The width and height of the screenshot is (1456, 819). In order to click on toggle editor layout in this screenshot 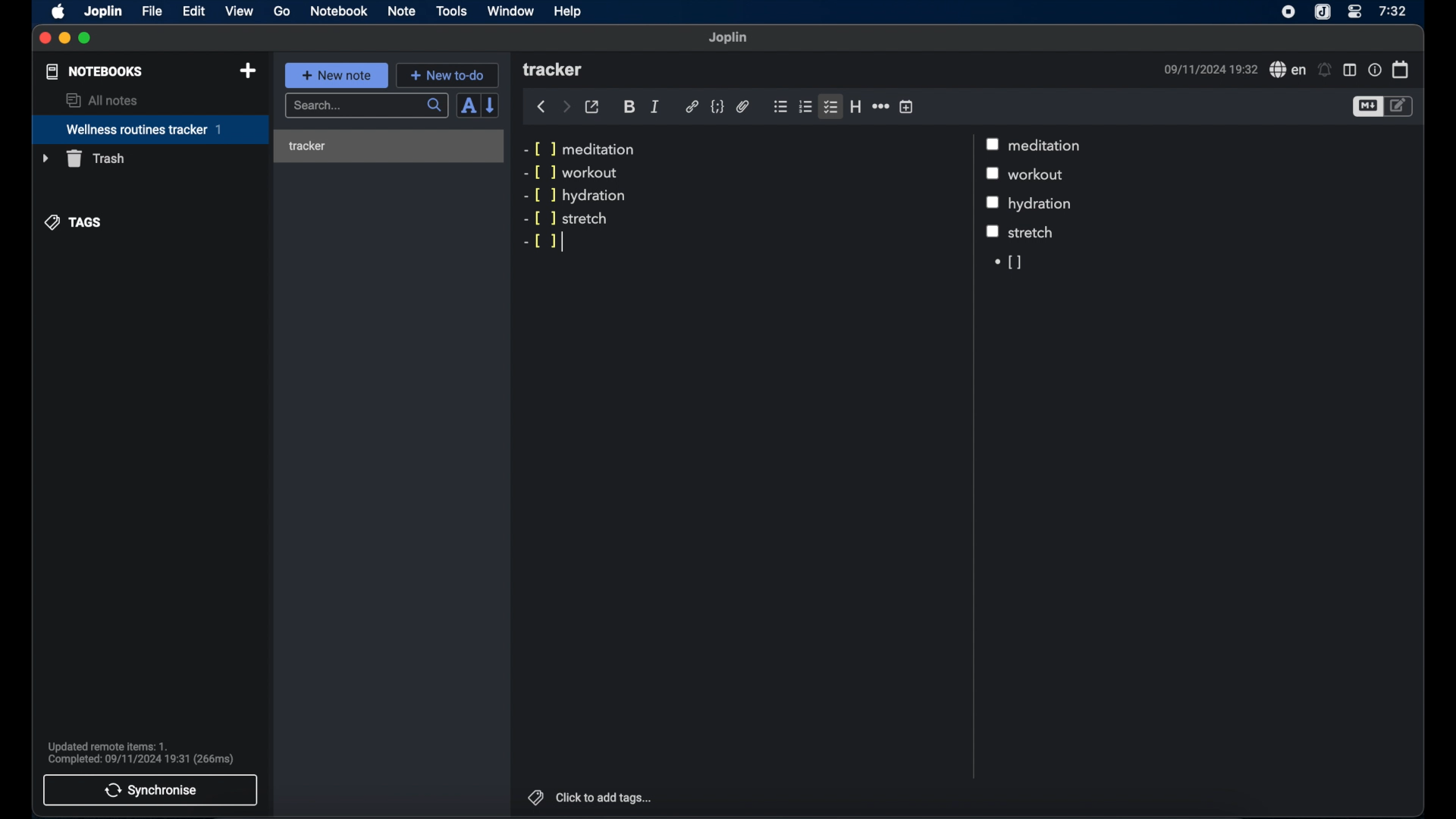, I will do `click(1349, 70)`.